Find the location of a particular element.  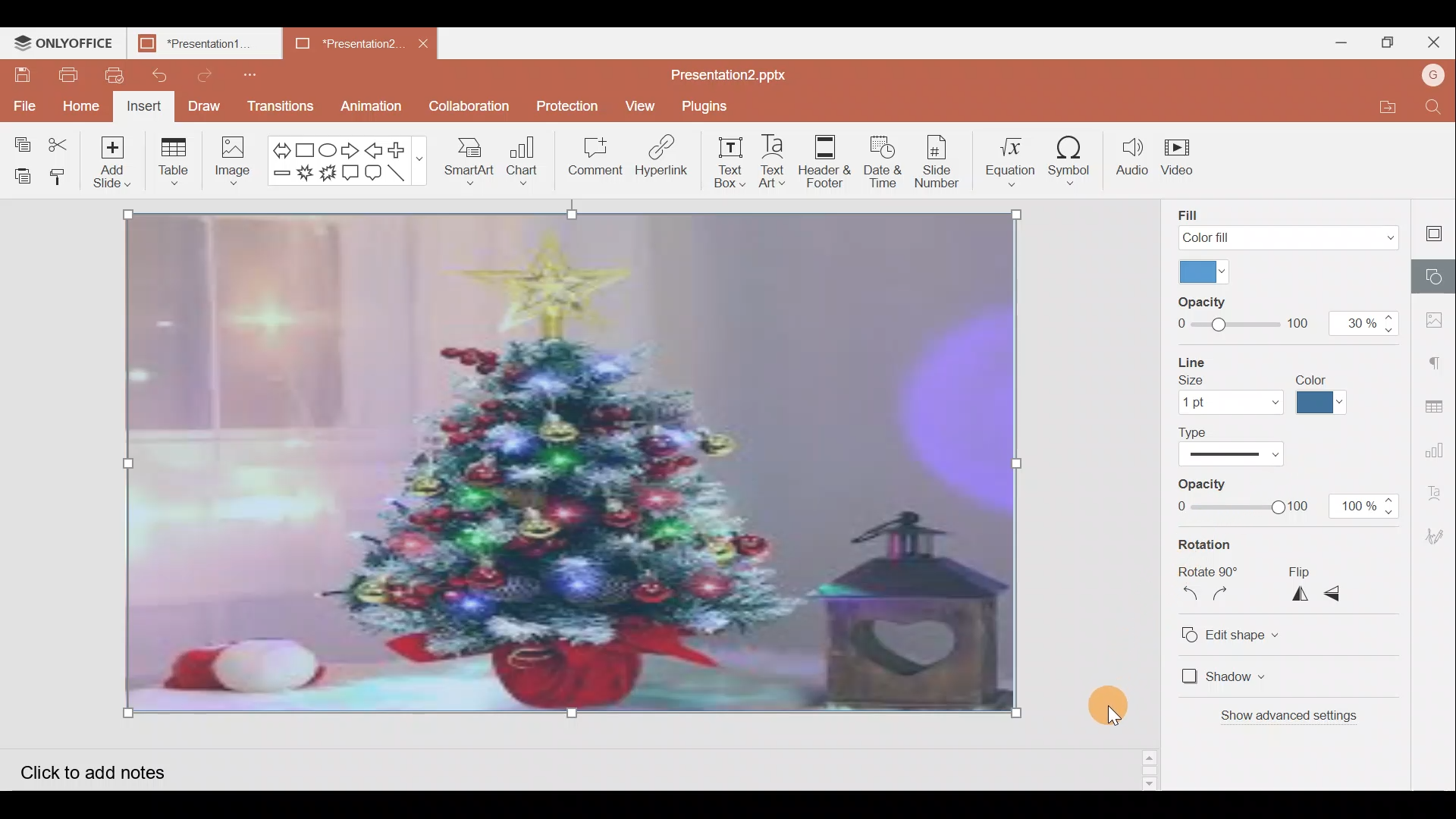

Print file is located at coordinates (62, 76).